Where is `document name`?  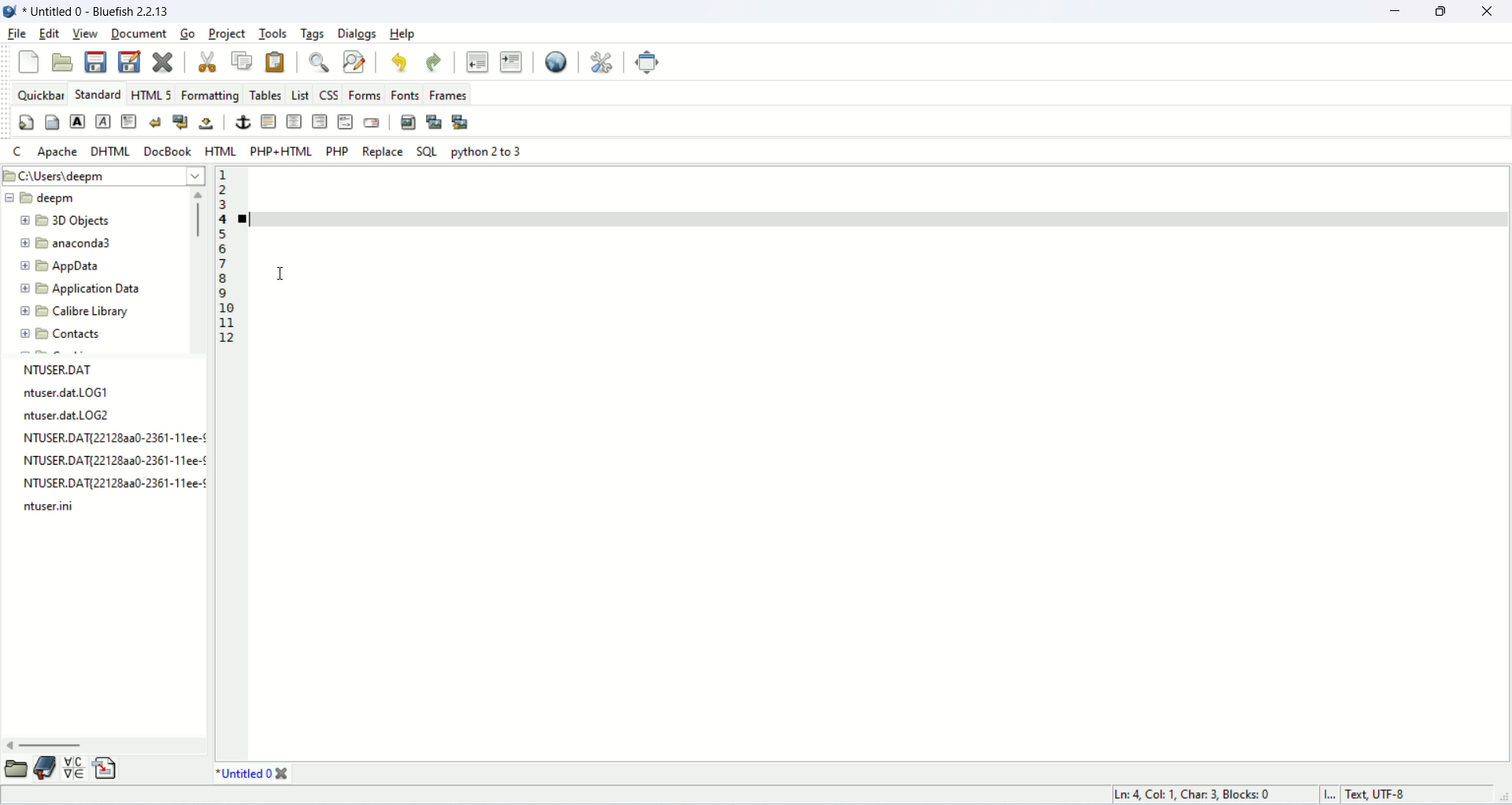 document name is located at coordinates (96, 10).